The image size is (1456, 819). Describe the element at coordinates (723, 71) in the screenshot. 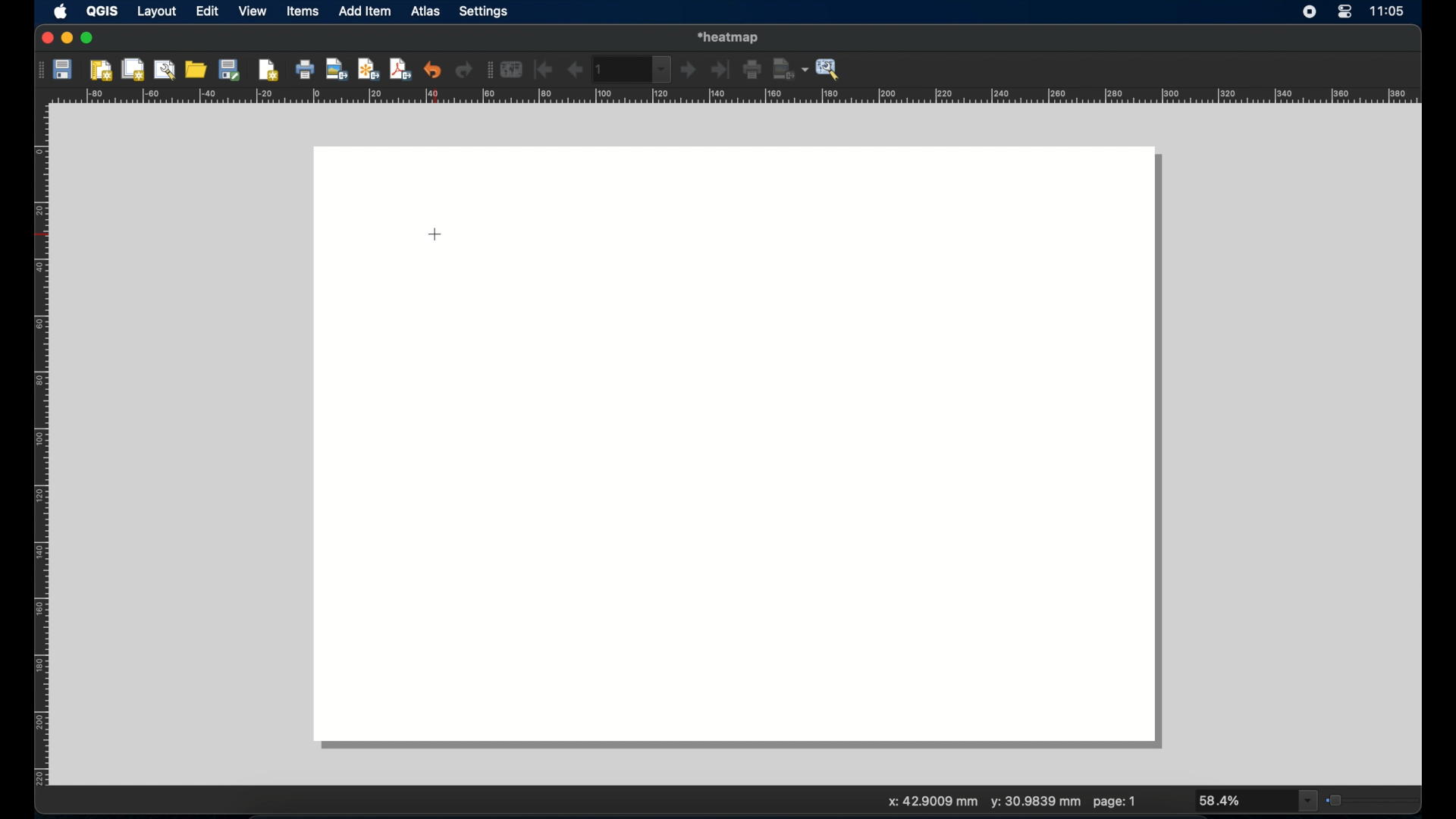

I see `last image` at that location.